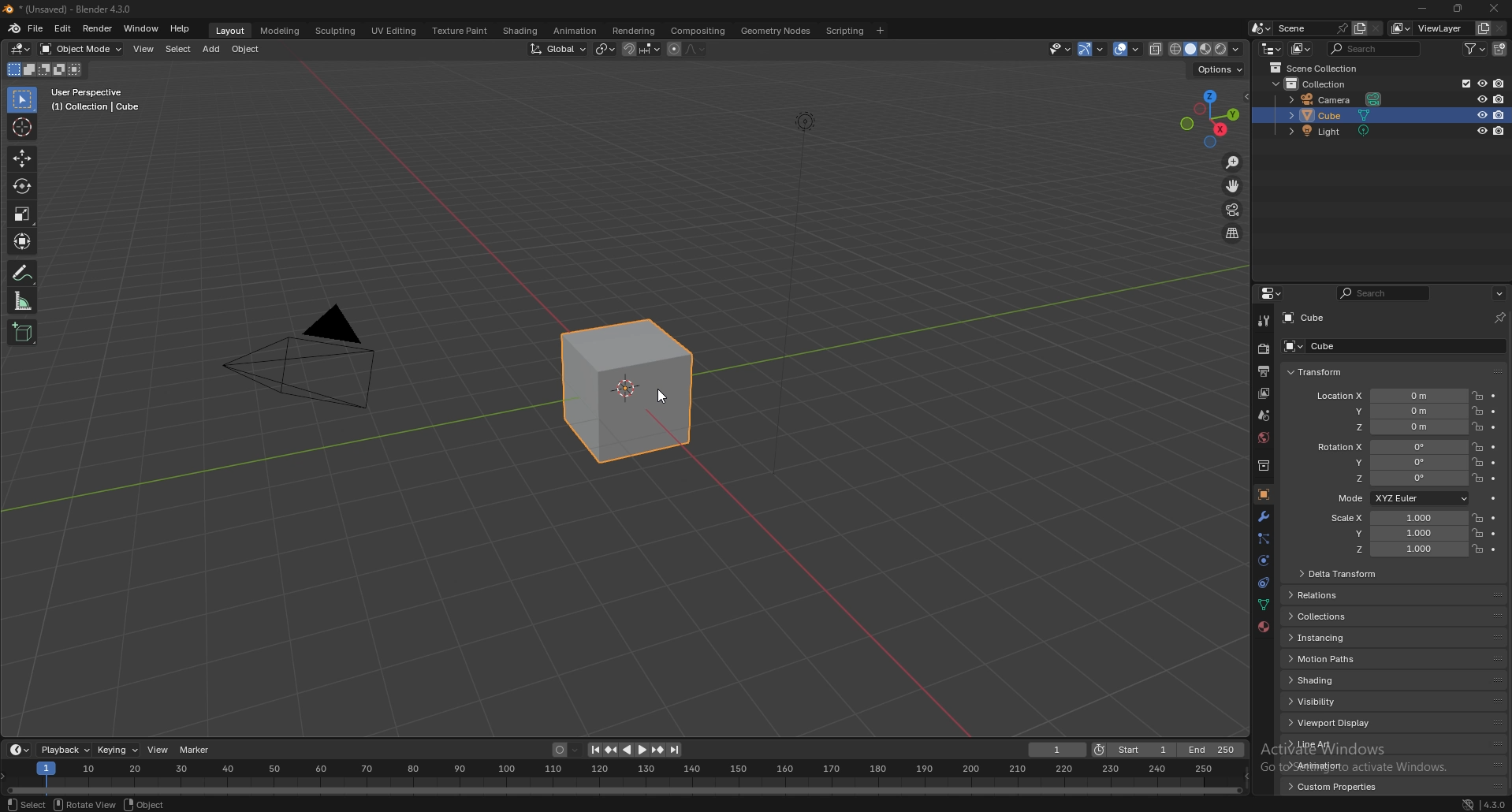 Image resolution: width=1512 pixels, height=812 pixels. I want to click on transform pivot point, so click(605, 50).